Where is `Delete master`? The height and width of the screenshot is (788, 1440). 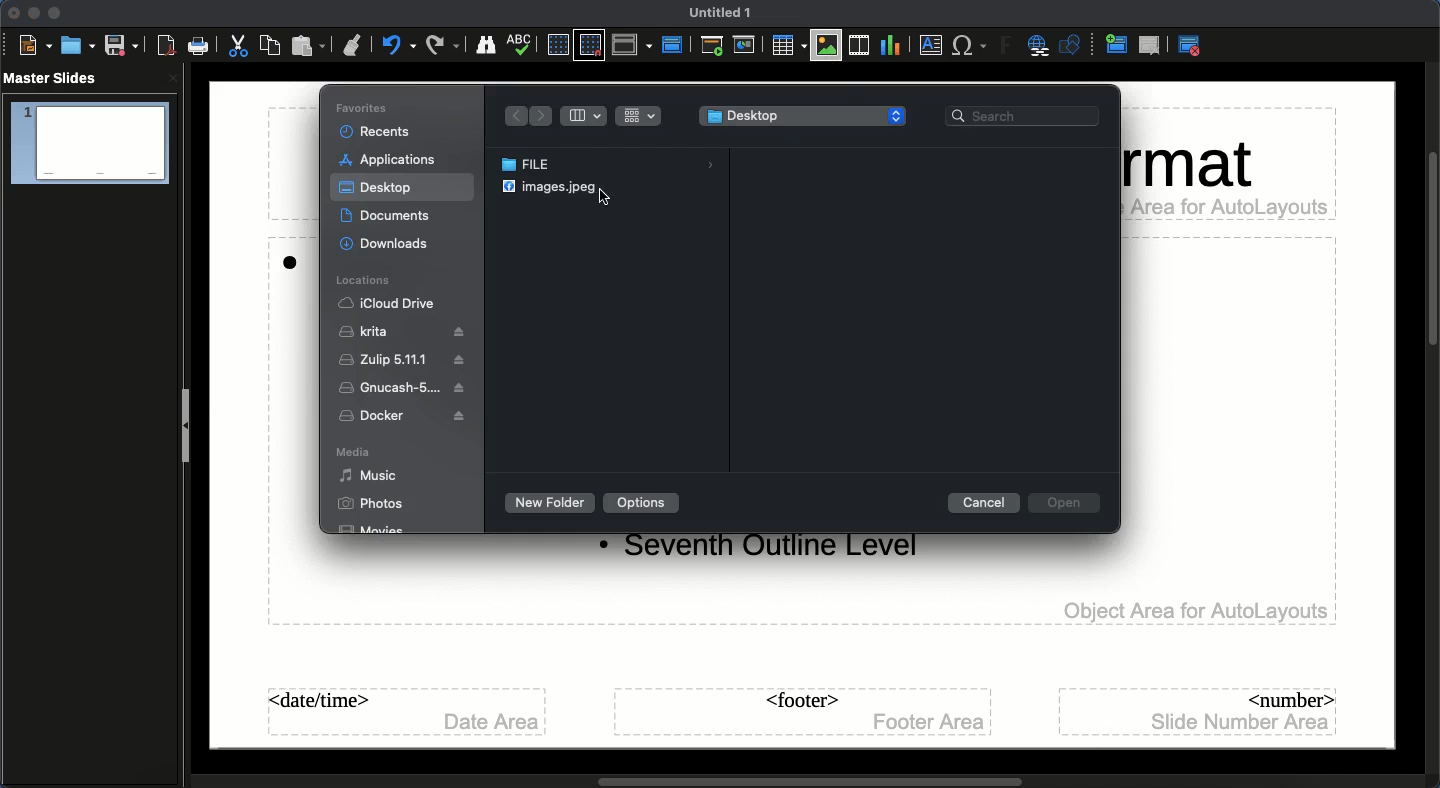 Delete master is located at coordinates (1153, 46).